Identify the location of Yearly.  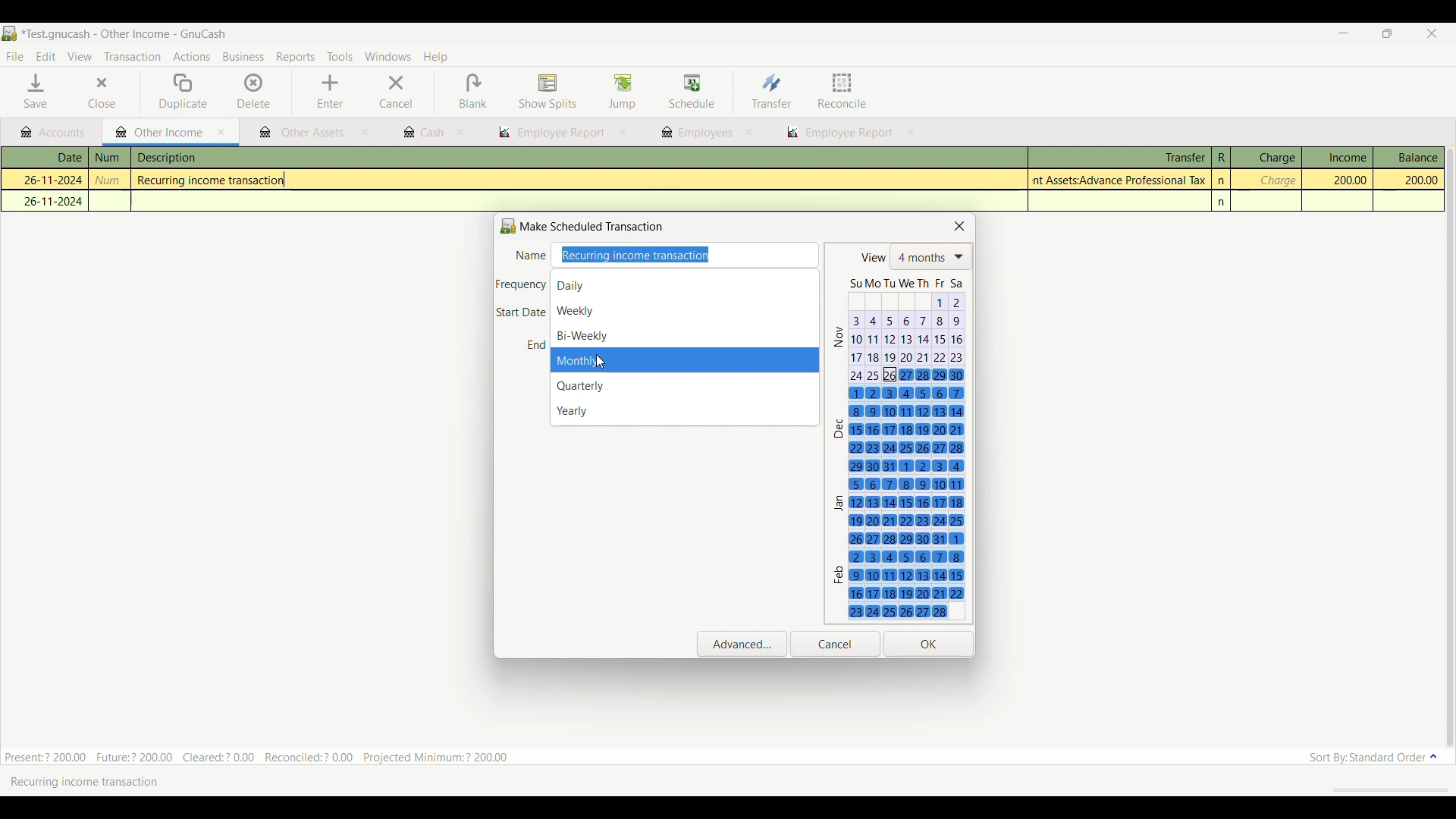
(684, 409).